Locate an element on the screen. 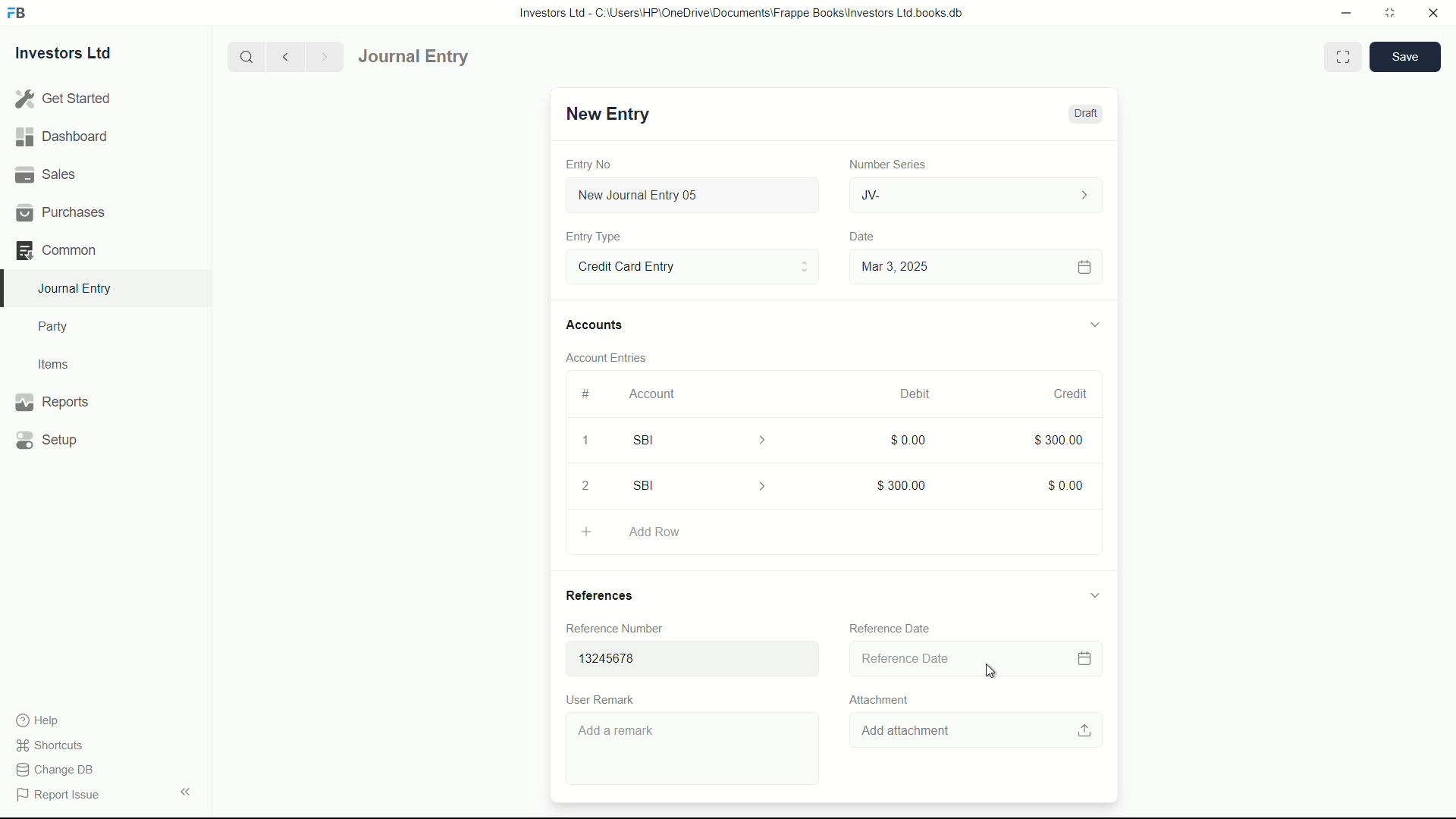 The height and width of the screenshot is (819, 1456). Add Row is located at coordinates (830, 534).